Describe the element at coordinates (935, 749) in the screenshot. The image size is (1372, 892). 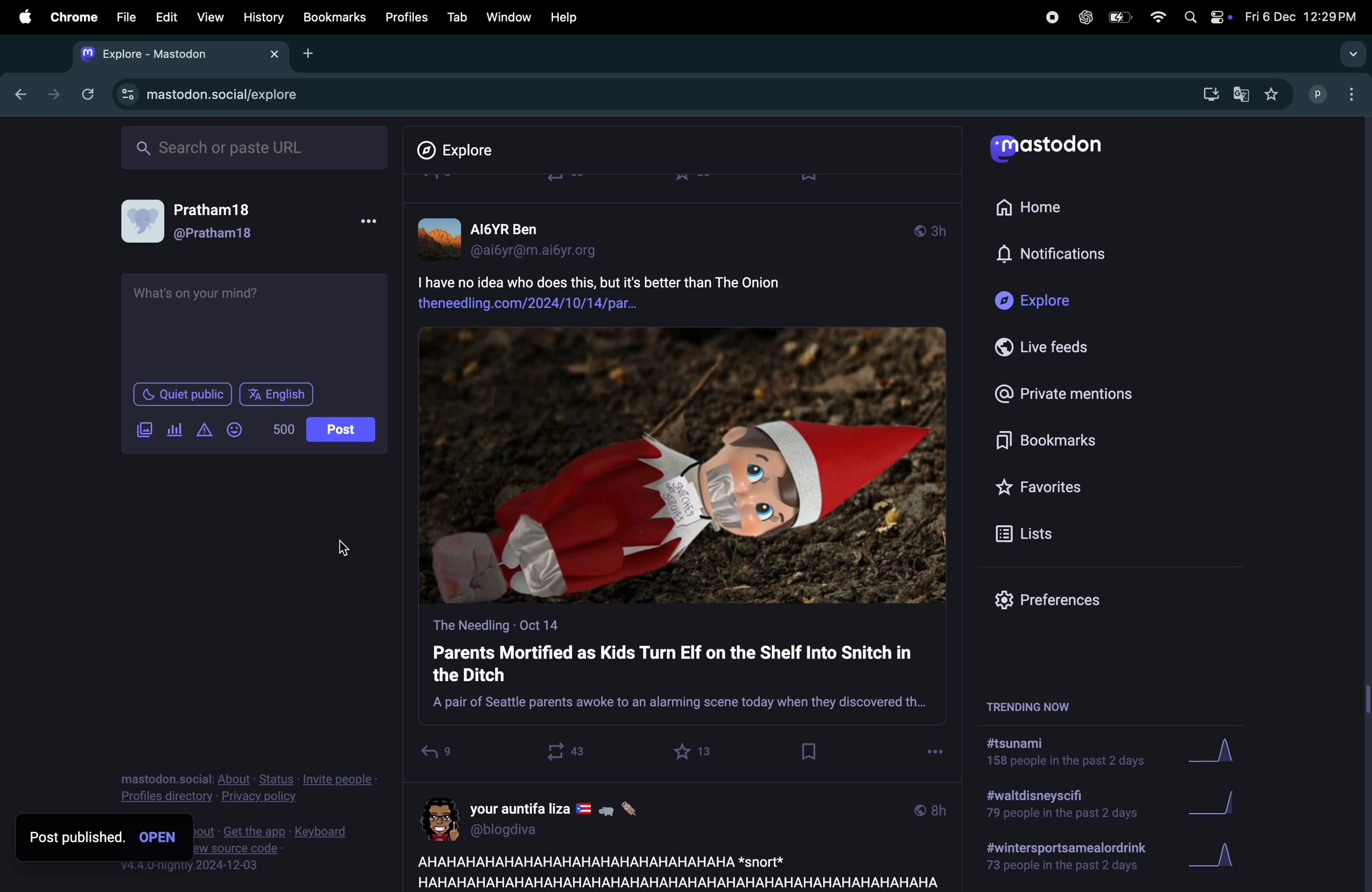
I see `options` at that location.